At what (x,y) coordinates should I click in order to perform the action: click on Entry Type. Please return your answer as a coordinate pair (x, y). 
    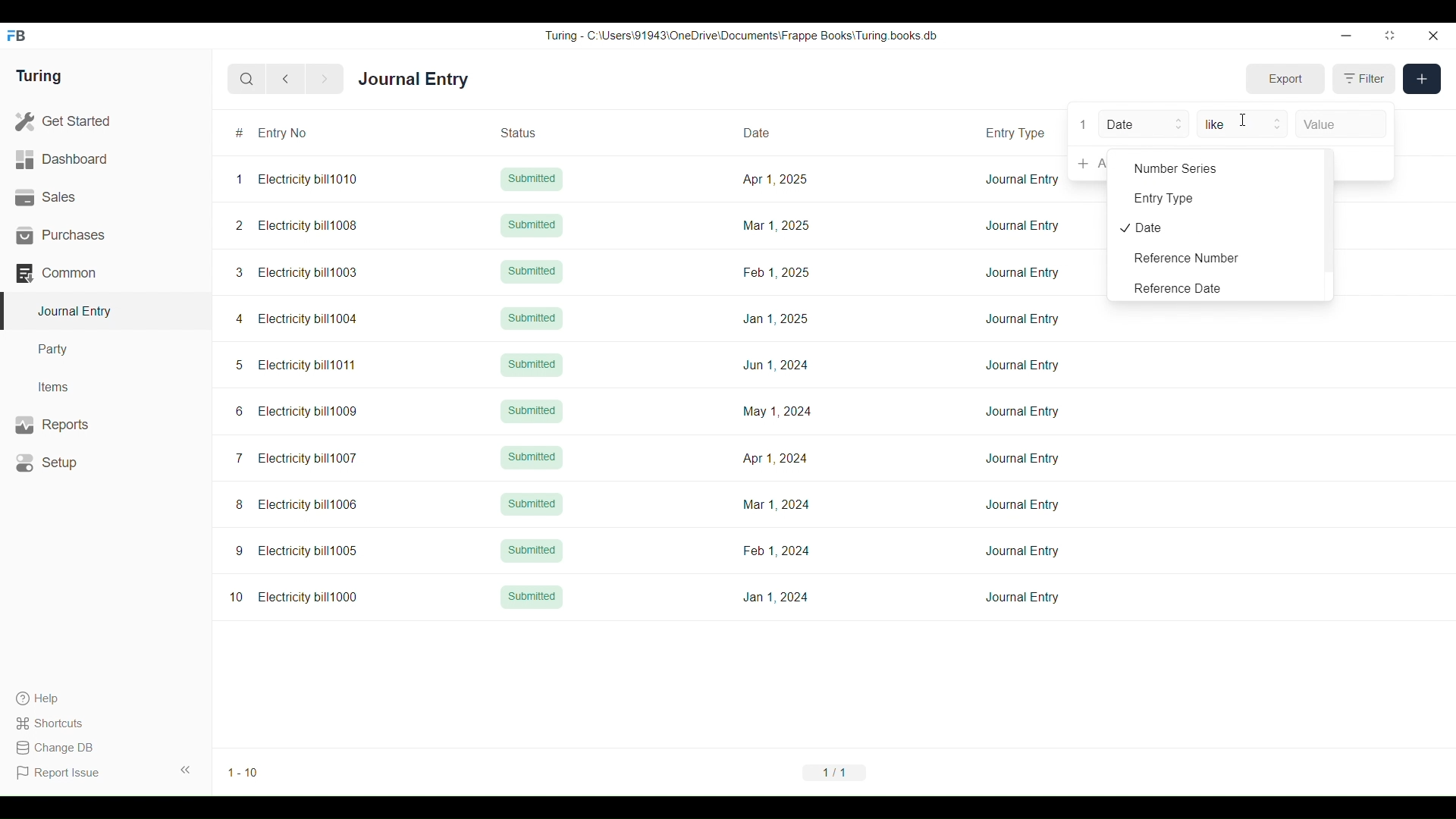
    Looking at the image, I should click on (1216, 197).